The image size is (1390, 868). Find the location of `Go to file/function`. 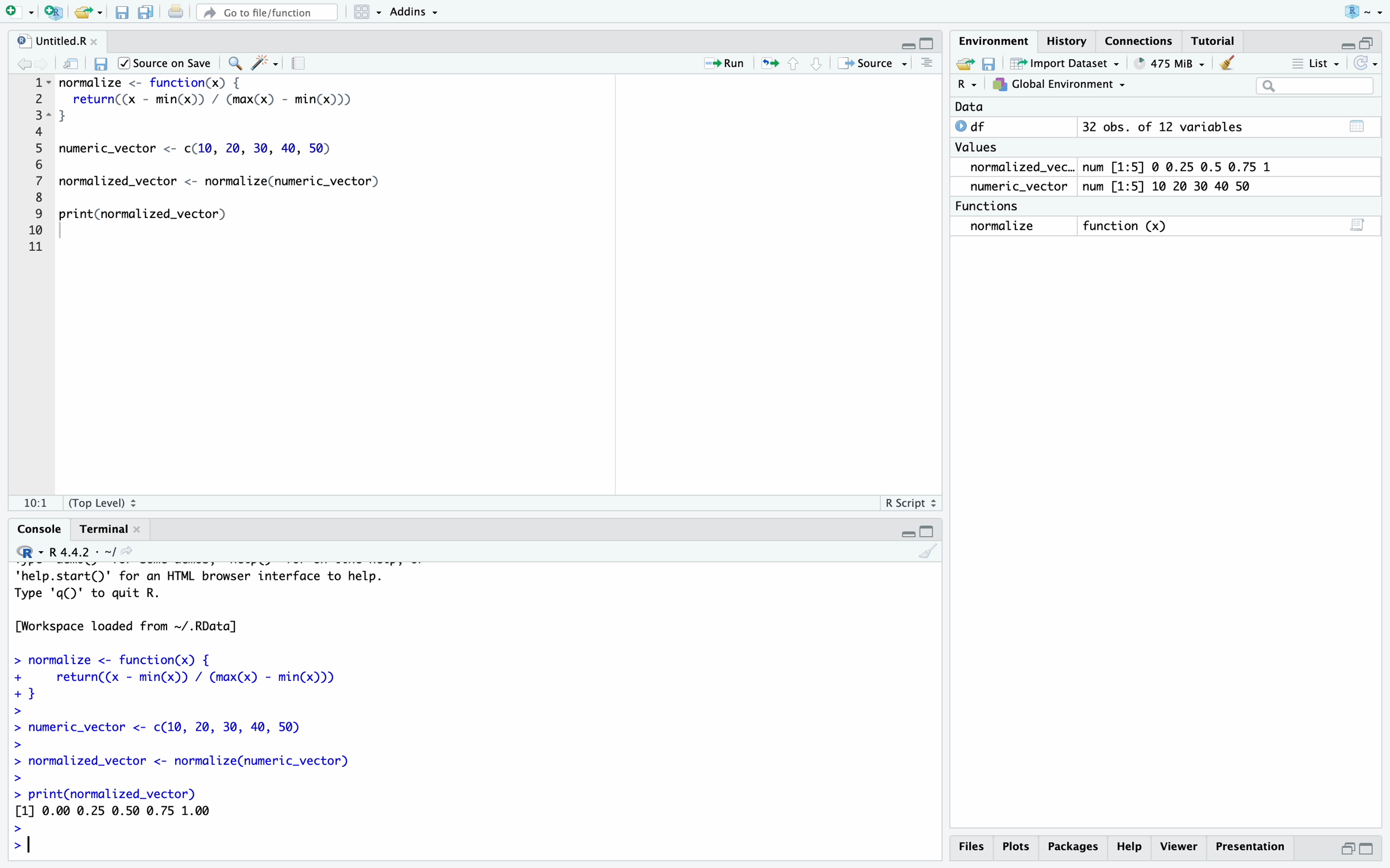

Go to file/function is located at coordinates (267, 14).